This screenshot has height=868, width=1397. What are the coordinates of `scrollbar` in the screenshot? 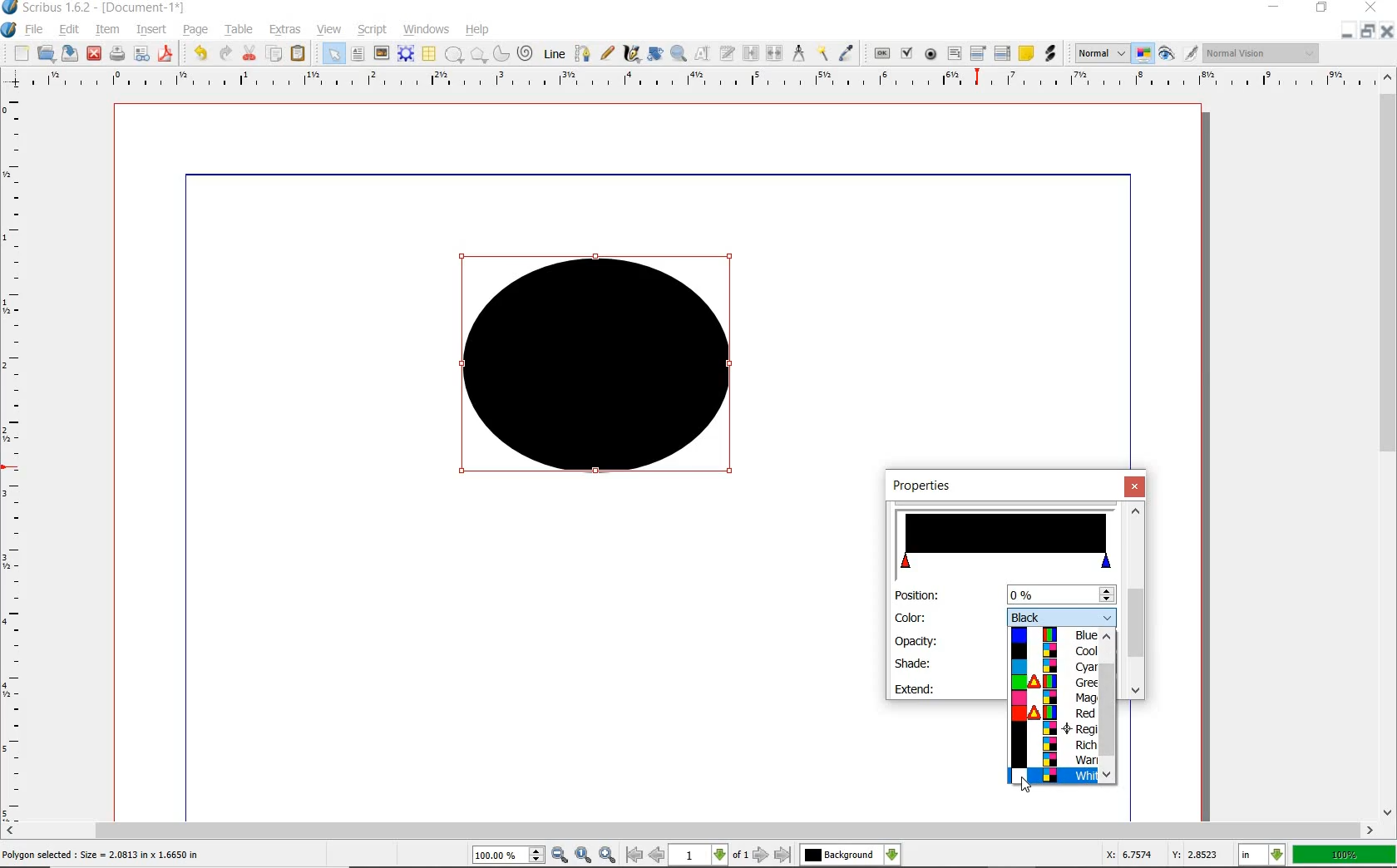 It's located at (1108, 700).